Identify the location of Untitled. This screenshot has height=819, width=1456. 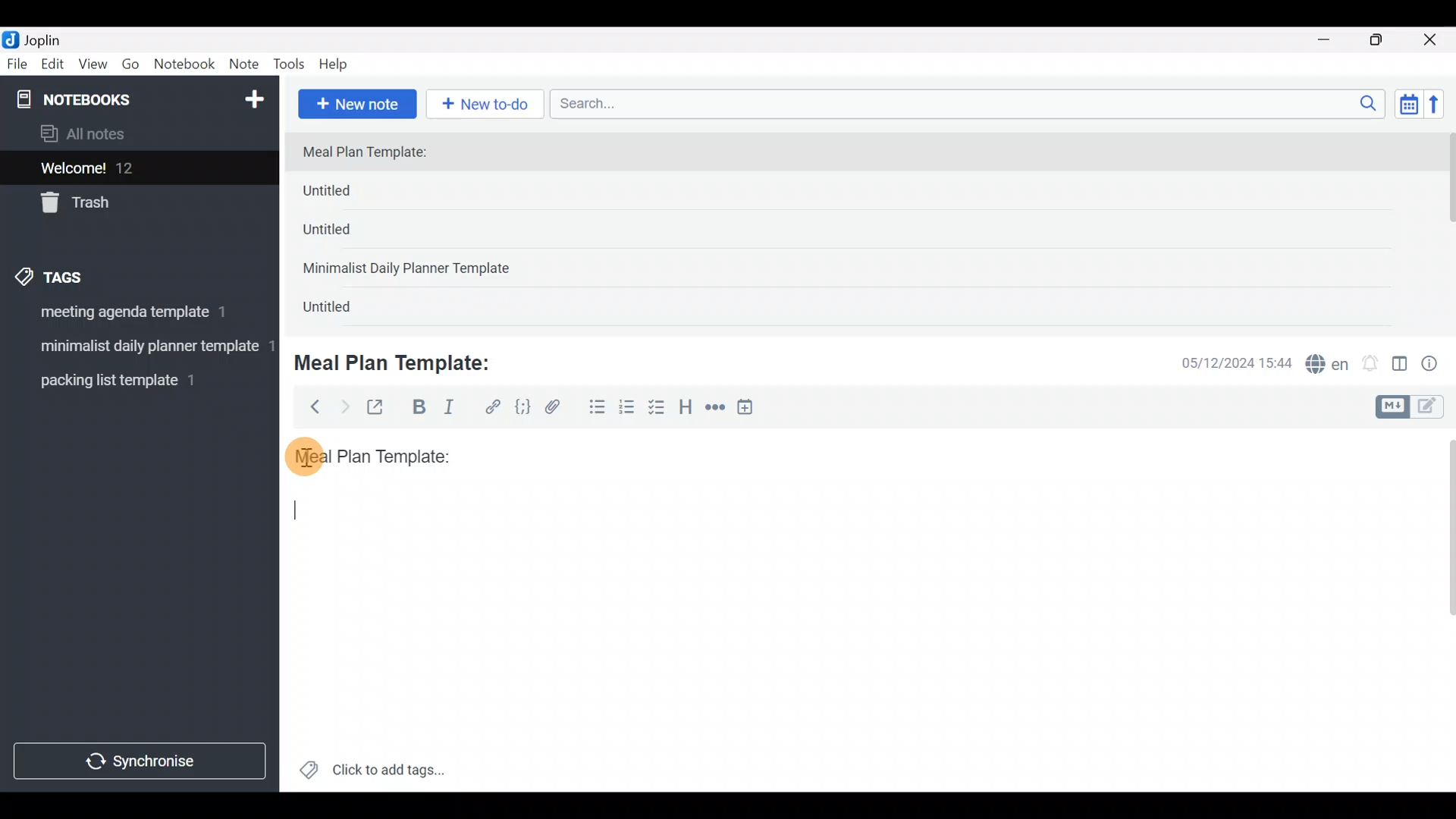
(347, 234).